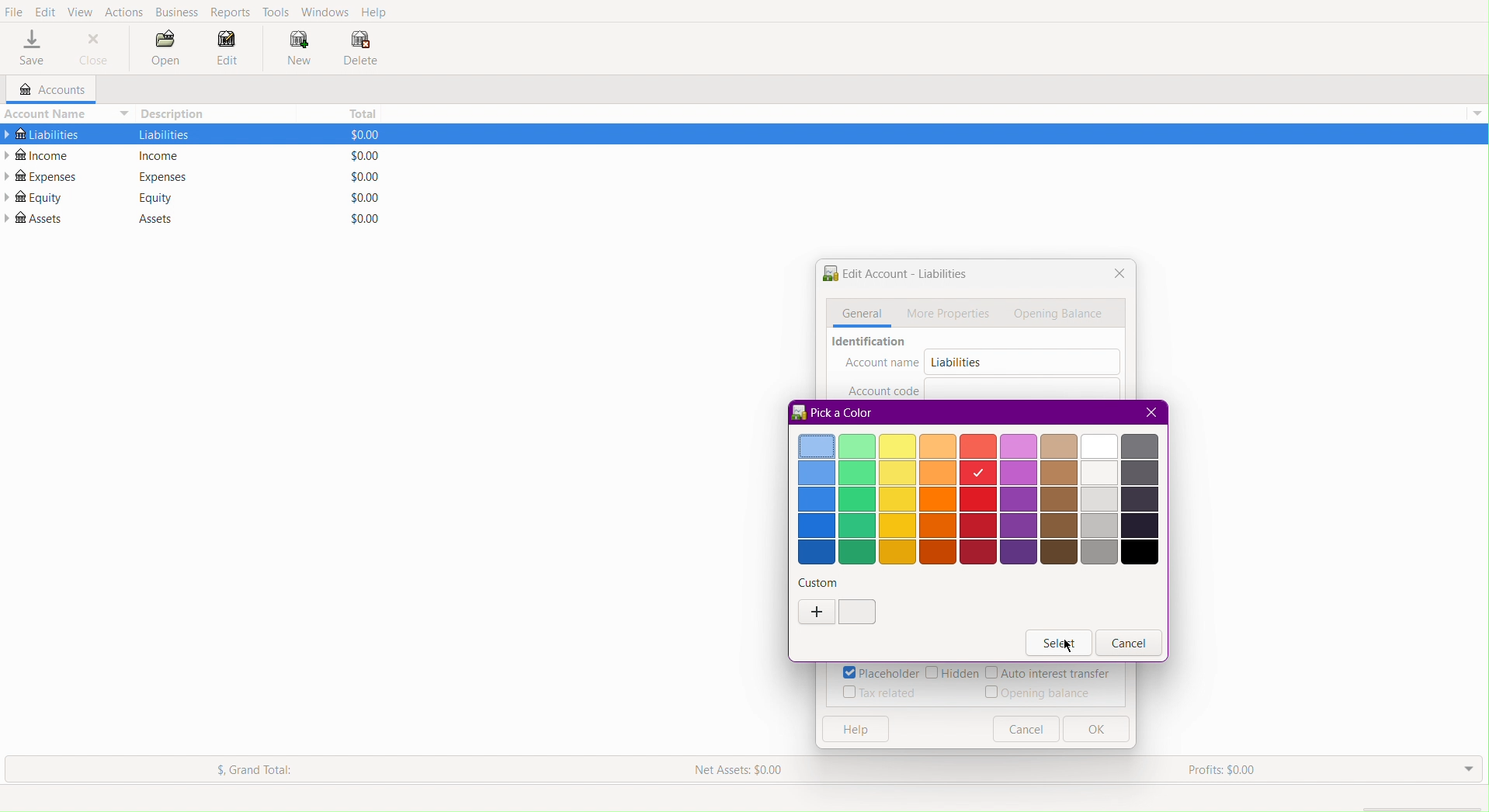  Describe the element at coordinates (32, 49) in the screenshot. I see `Save` at that location.